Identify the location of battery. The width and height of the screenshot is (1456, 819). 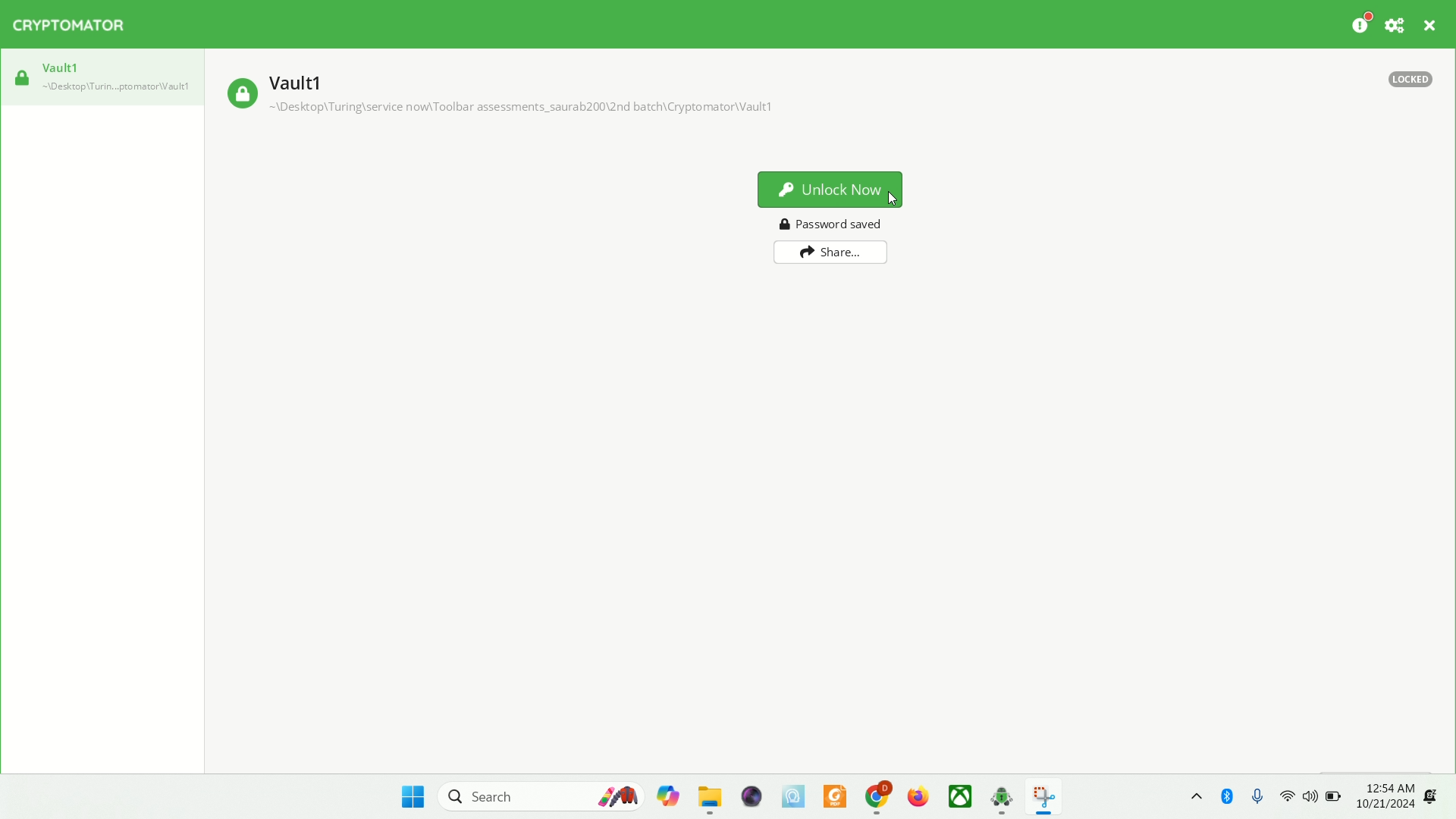
(1334, 797).